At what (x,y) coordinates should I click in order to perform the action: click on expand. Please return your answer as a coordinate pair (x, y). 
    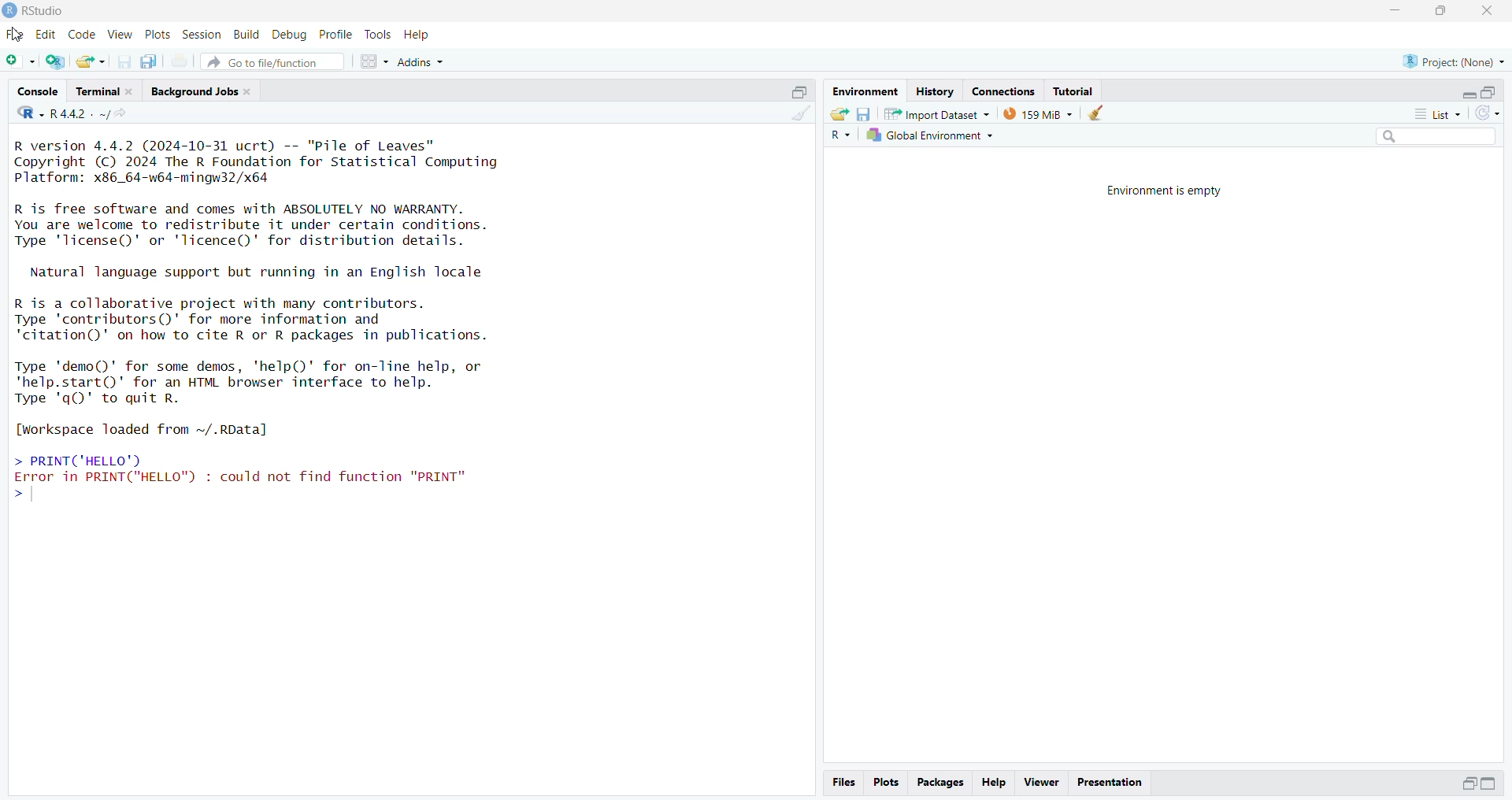
    Looking at the image, I should click on (1492, 784).